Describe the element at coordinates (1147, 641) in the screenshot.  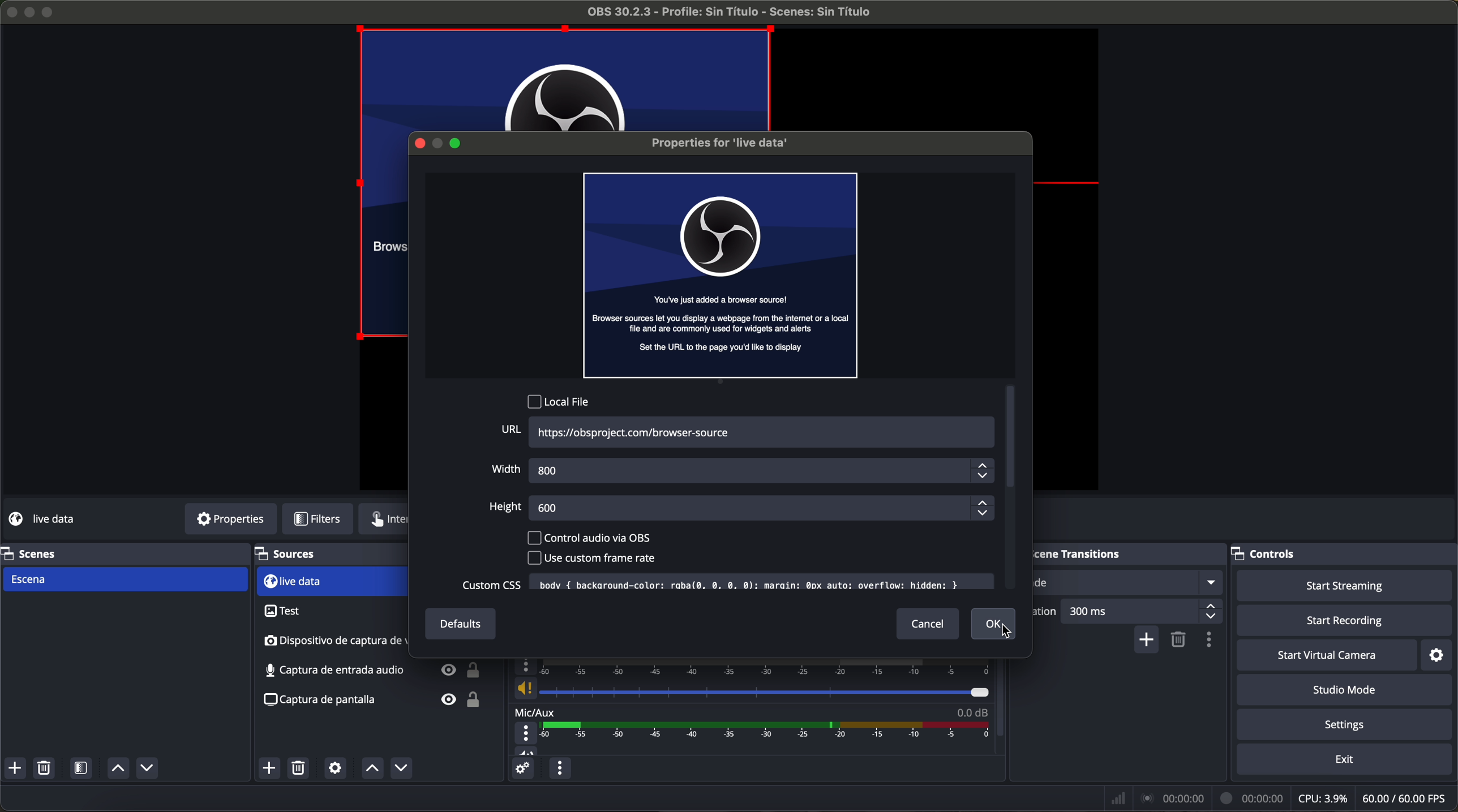
I see `add configurable transition` at that location.